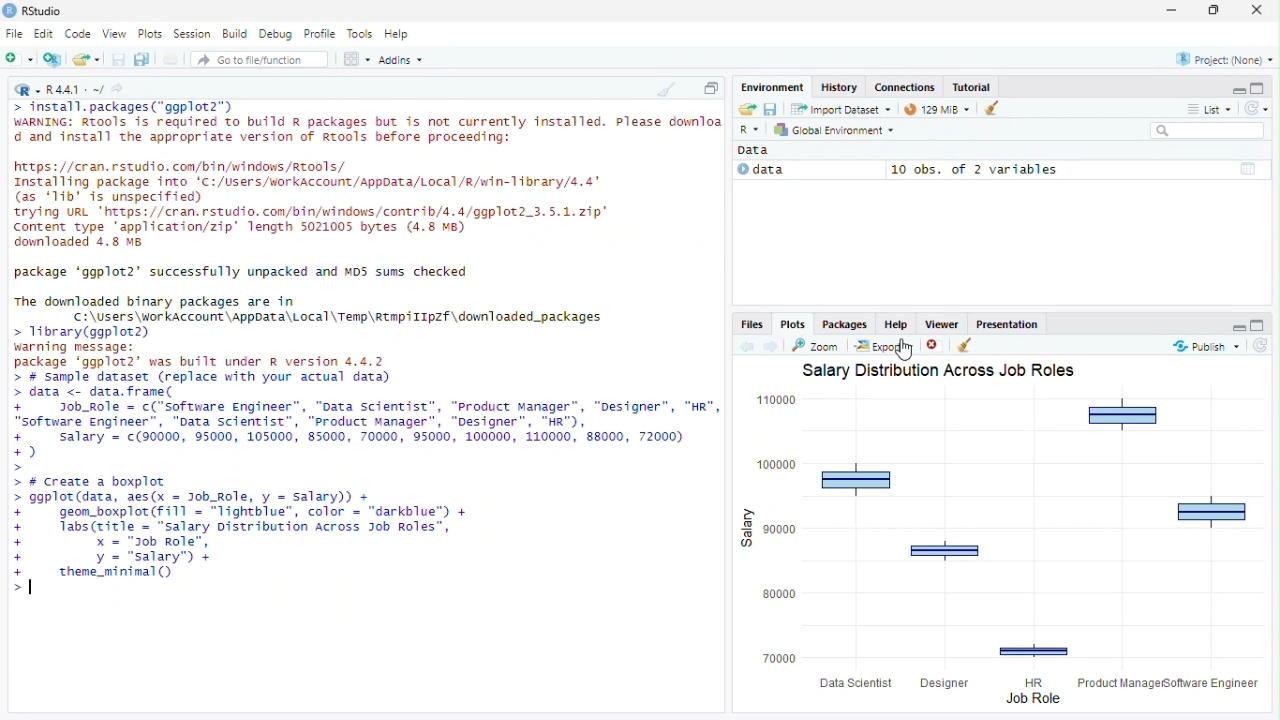 The height and width of the screenshot is (720, 1280). Describe the element at coordinates (773, 87) in the screenshot. I see `Environment` at that location.